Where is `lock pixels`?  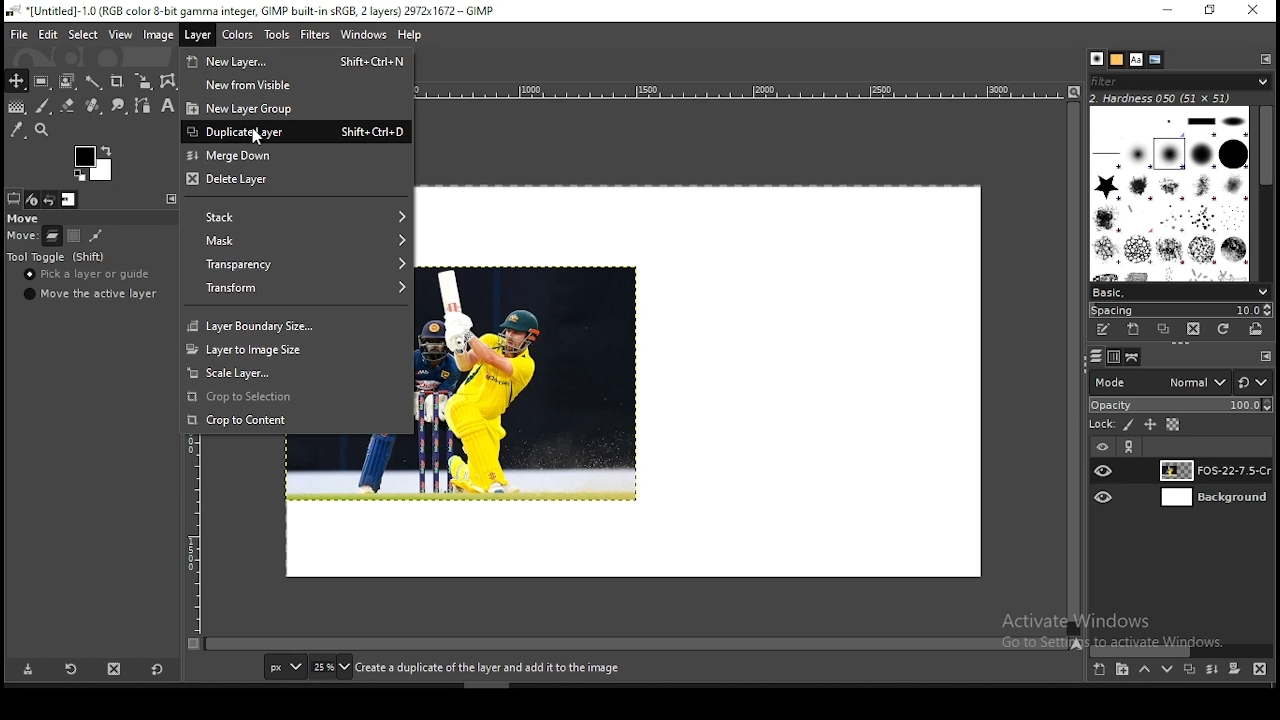 lock pixels is located at coordinates (1130, 427).